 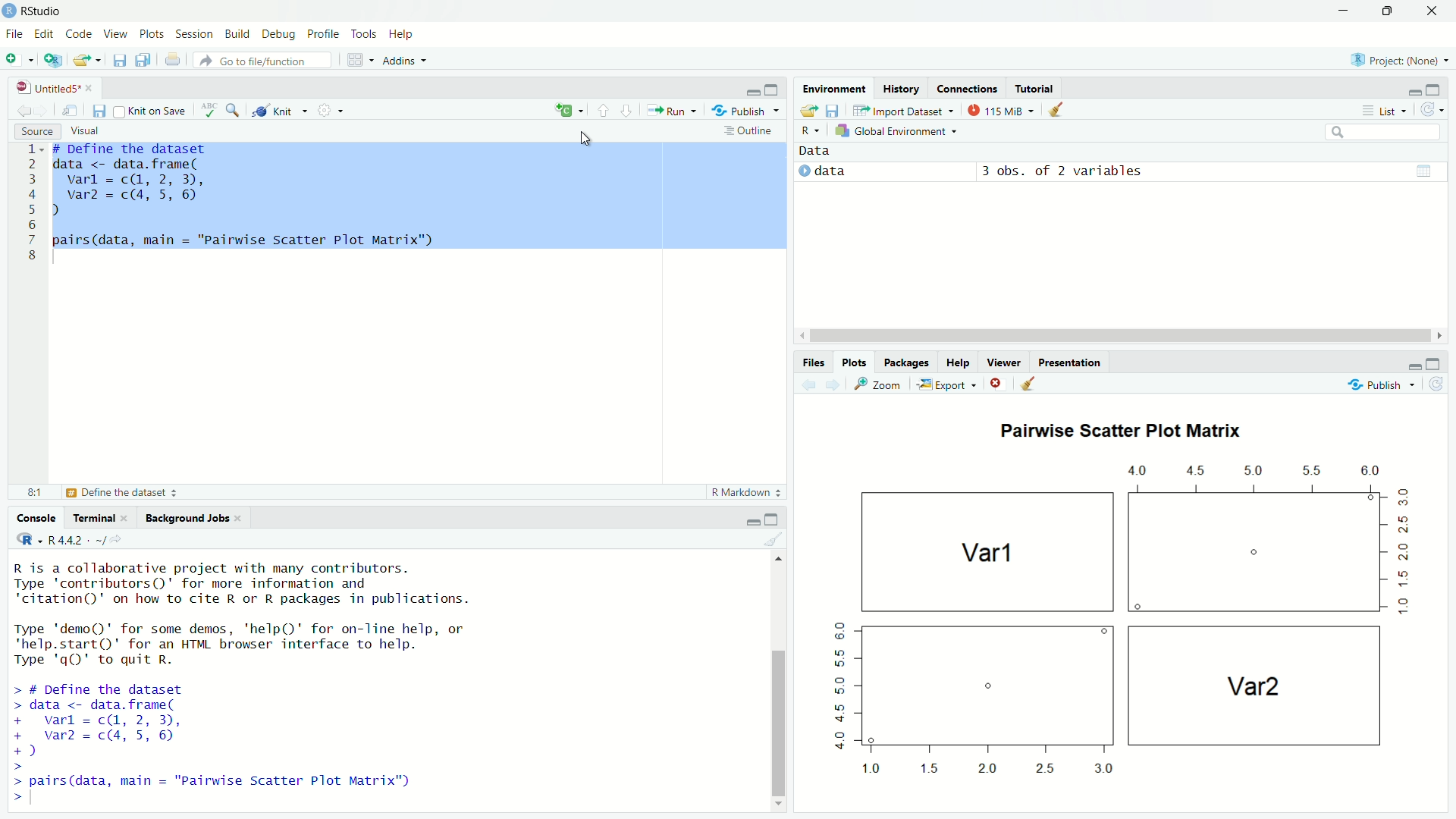 What do you see at coordinates (604, 110) in the screenshot?
I see `Go to previous section/chunk (Ctrl + PgUp)` at bounding box center [604, 110].